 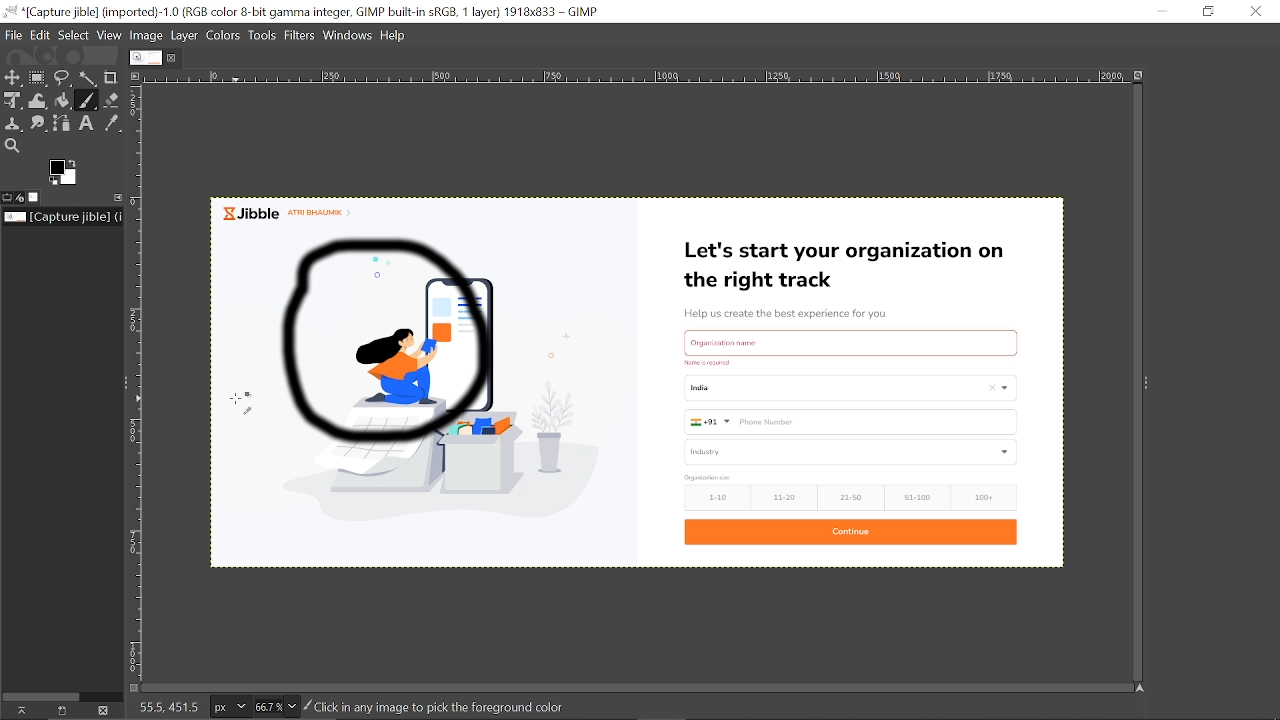 What do you see at coordinates (15, 124) in the screenshot?
I see `Clone tool` at bounding box center [15, 124].